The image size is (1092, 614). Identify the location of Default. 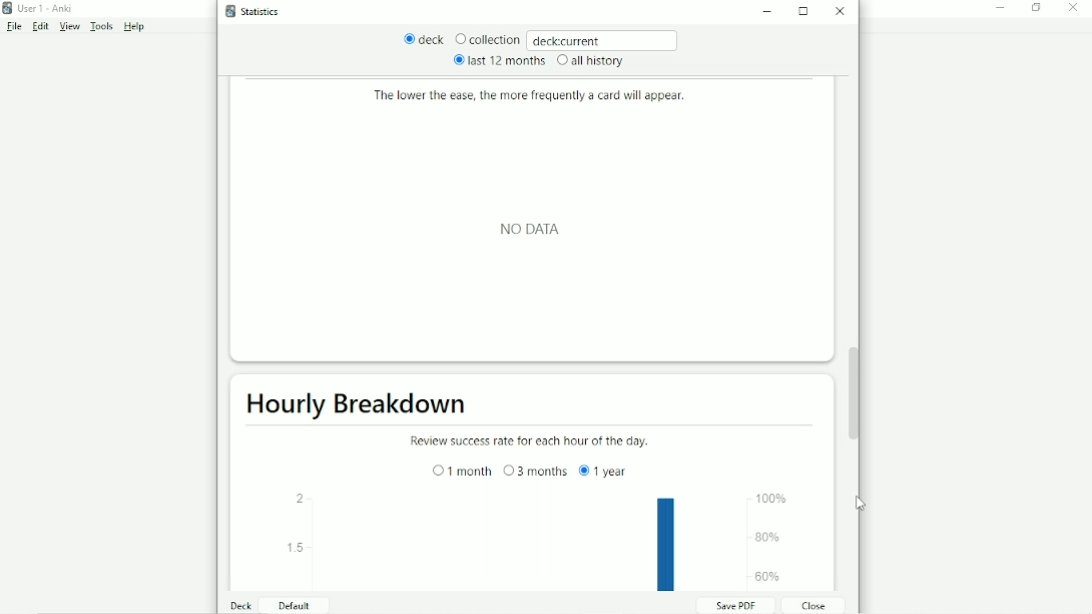
(292, 605).